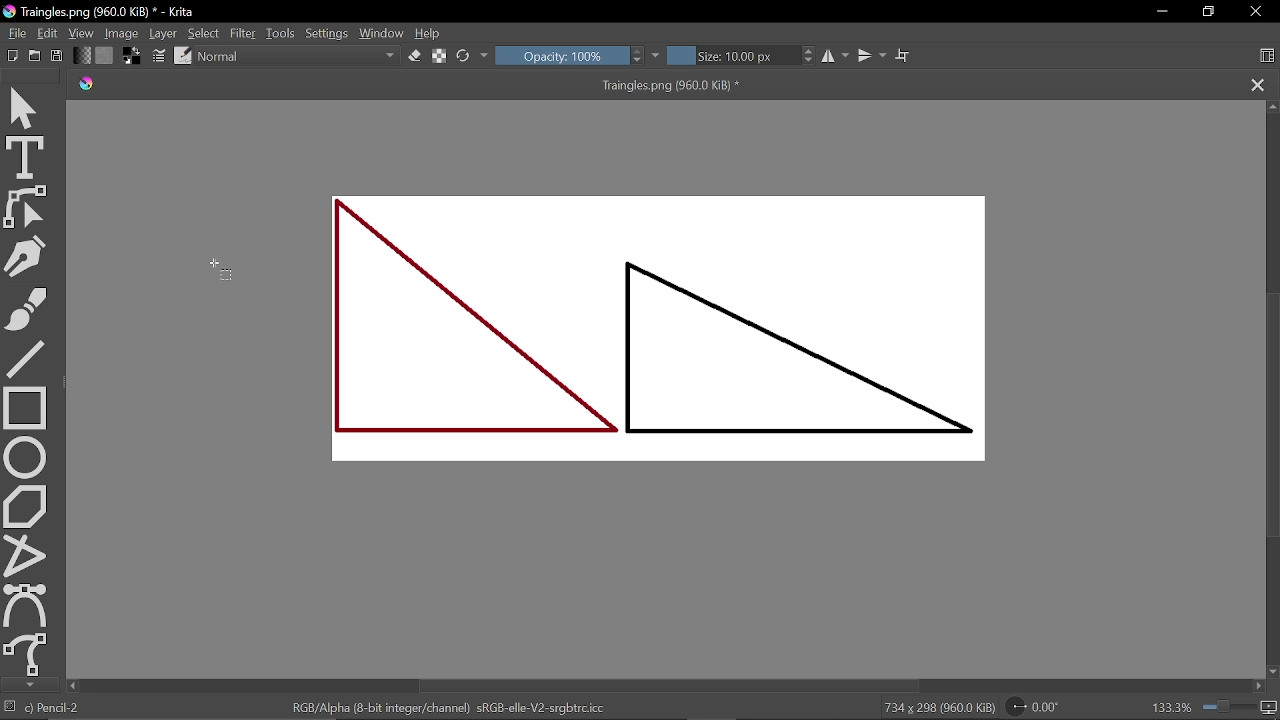 This screenshot has height=720, width=1280. What do you see at coordinates (838, 55) in the screenshot?
I see `Horizontal mirror tool` at bounding box center [838, 55].